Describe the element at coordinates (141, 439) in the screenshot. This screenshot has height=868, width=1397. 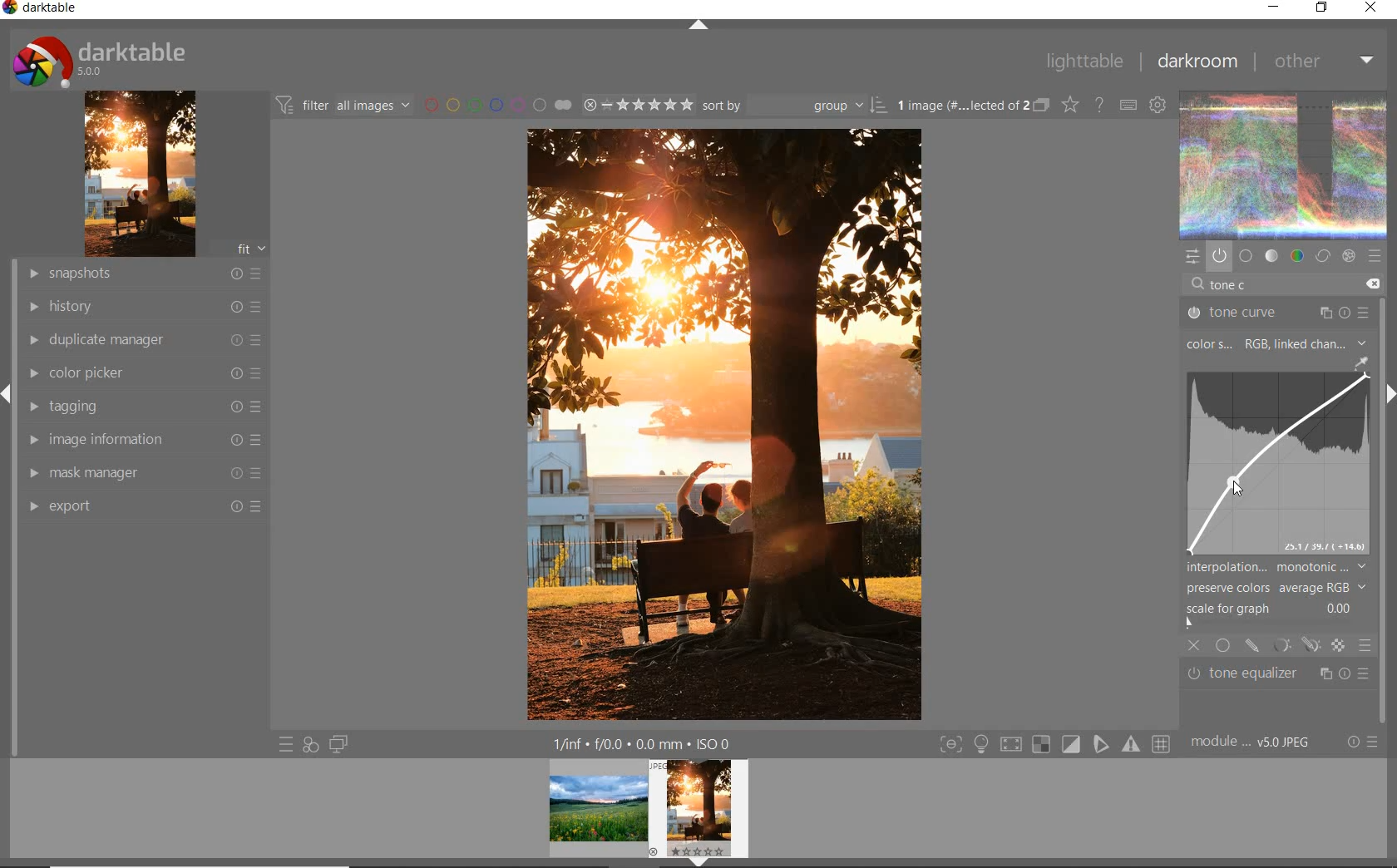
I see `image information` at that location.